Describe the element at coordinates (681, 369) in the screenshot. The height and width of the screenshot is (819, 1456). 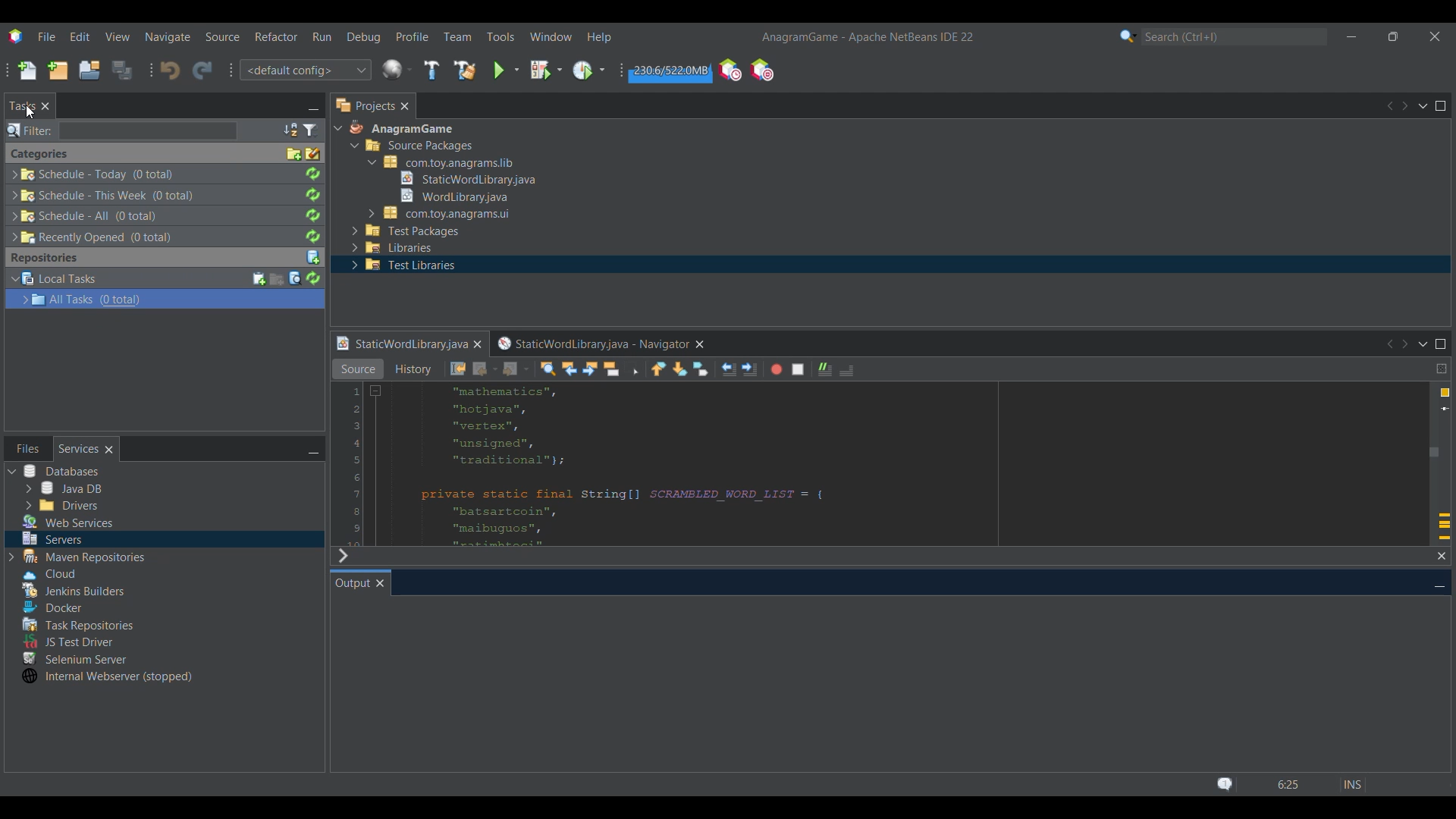
I see `Next bookmark` at that location.